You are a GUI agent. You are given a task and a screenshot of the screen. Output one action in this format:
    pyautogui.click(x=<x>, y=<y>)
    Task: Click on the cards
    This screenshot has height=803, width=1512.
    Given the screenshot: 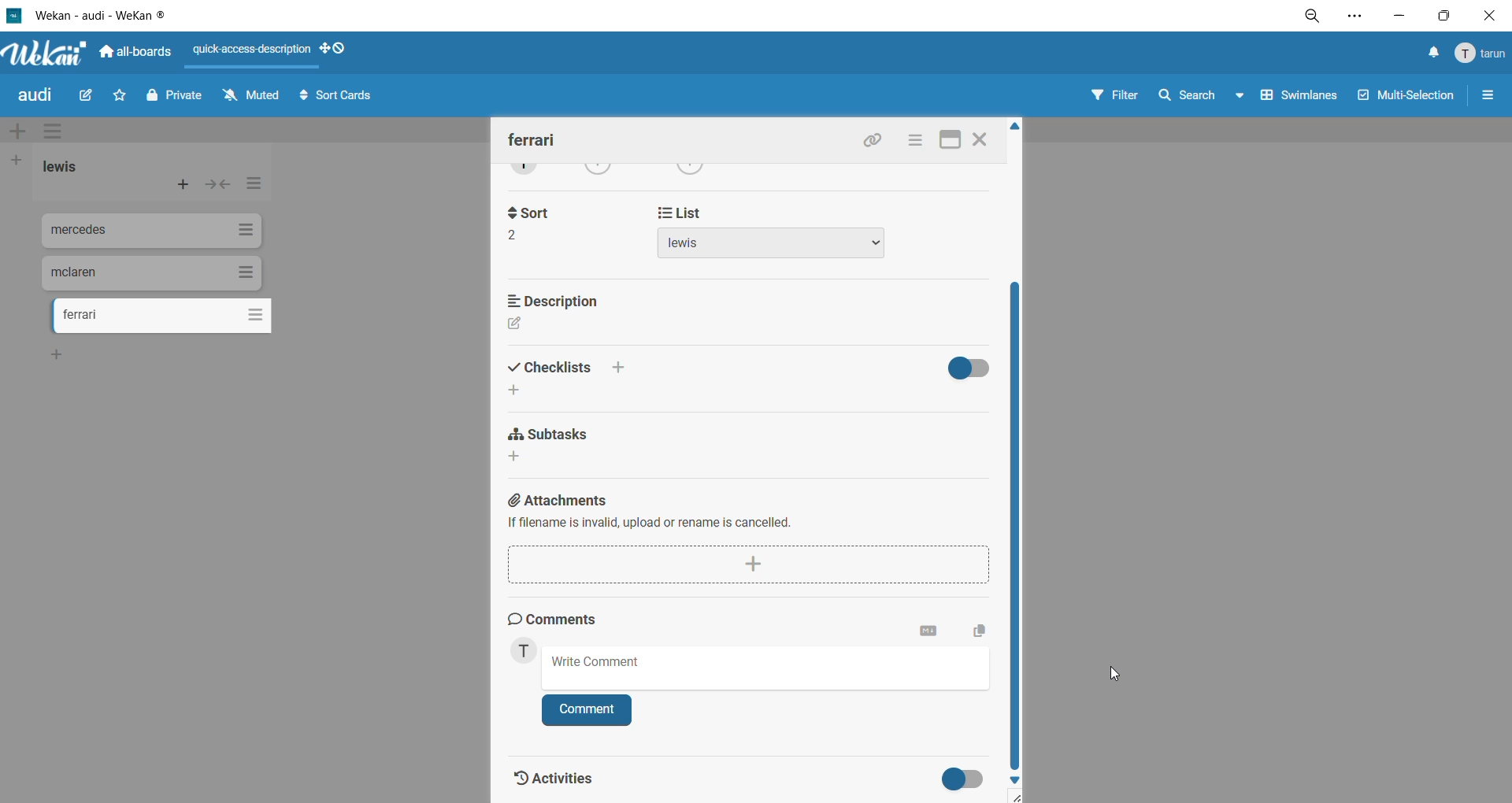 What is the action you would take?
    pyautogui.click(x=154, y=233)
    